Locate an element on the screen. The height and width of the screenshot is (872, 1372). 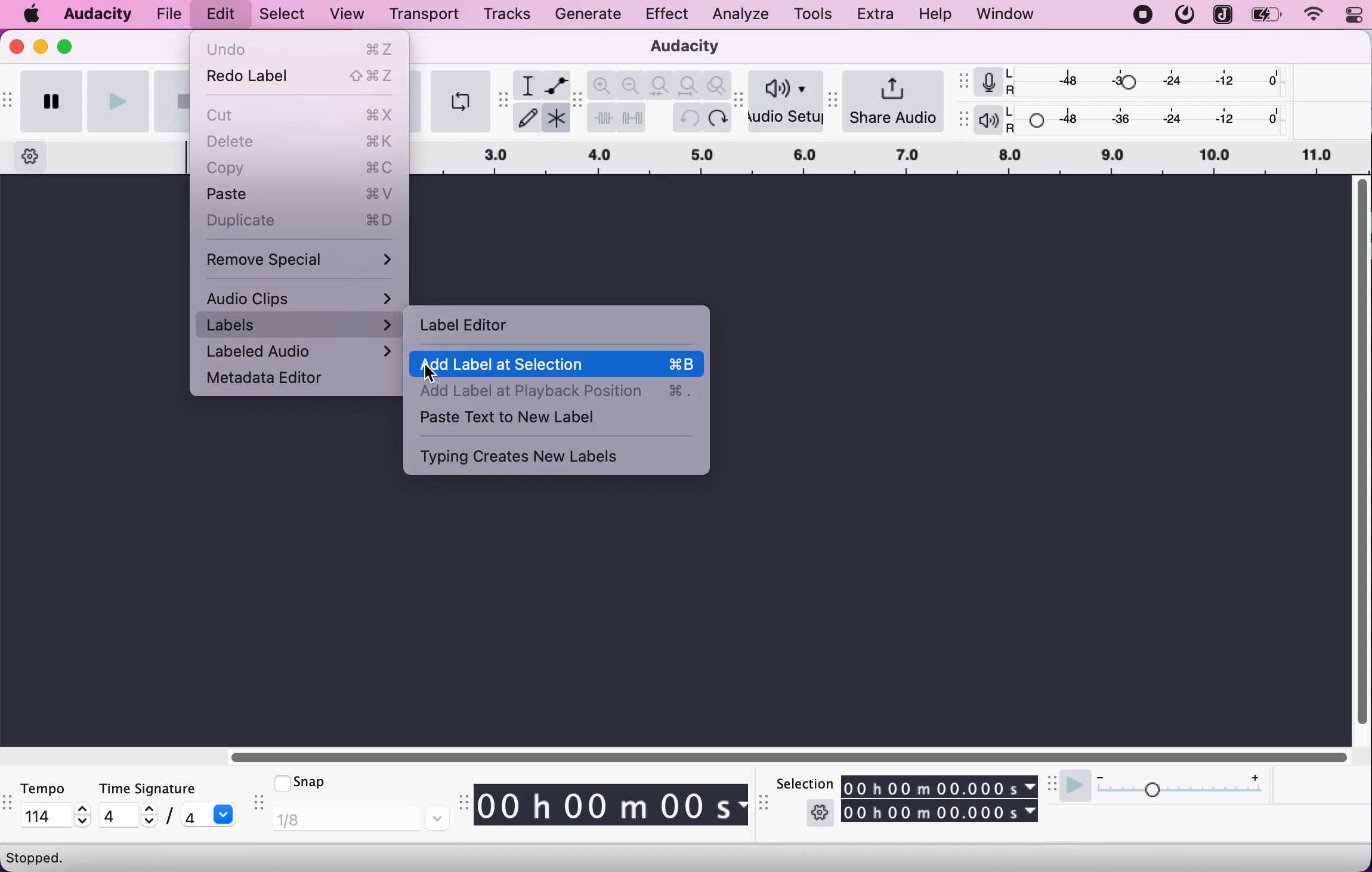
audacity tempo toolbar is located at coordinates (8, 805).